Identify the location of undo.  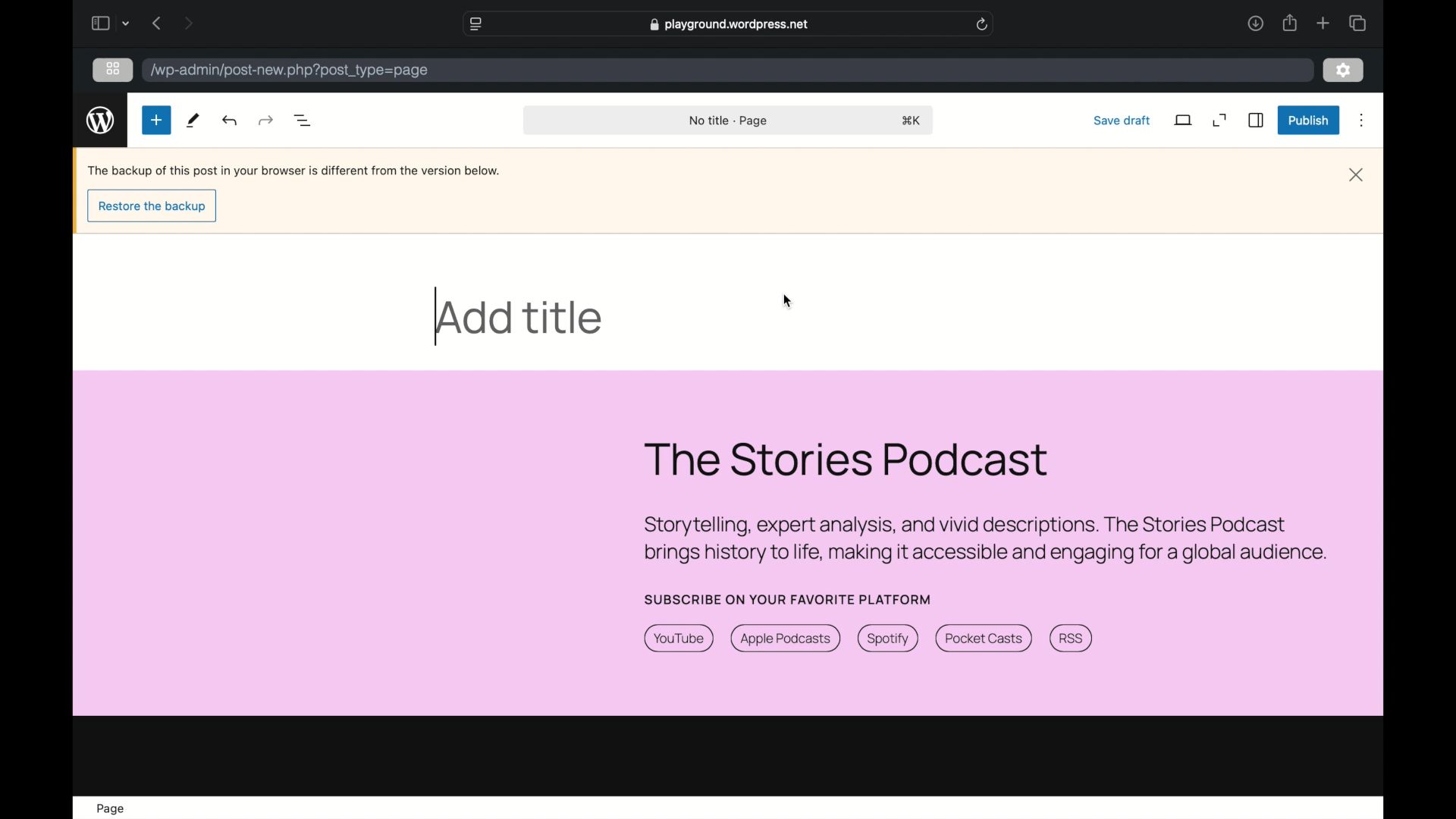
(265, 120).